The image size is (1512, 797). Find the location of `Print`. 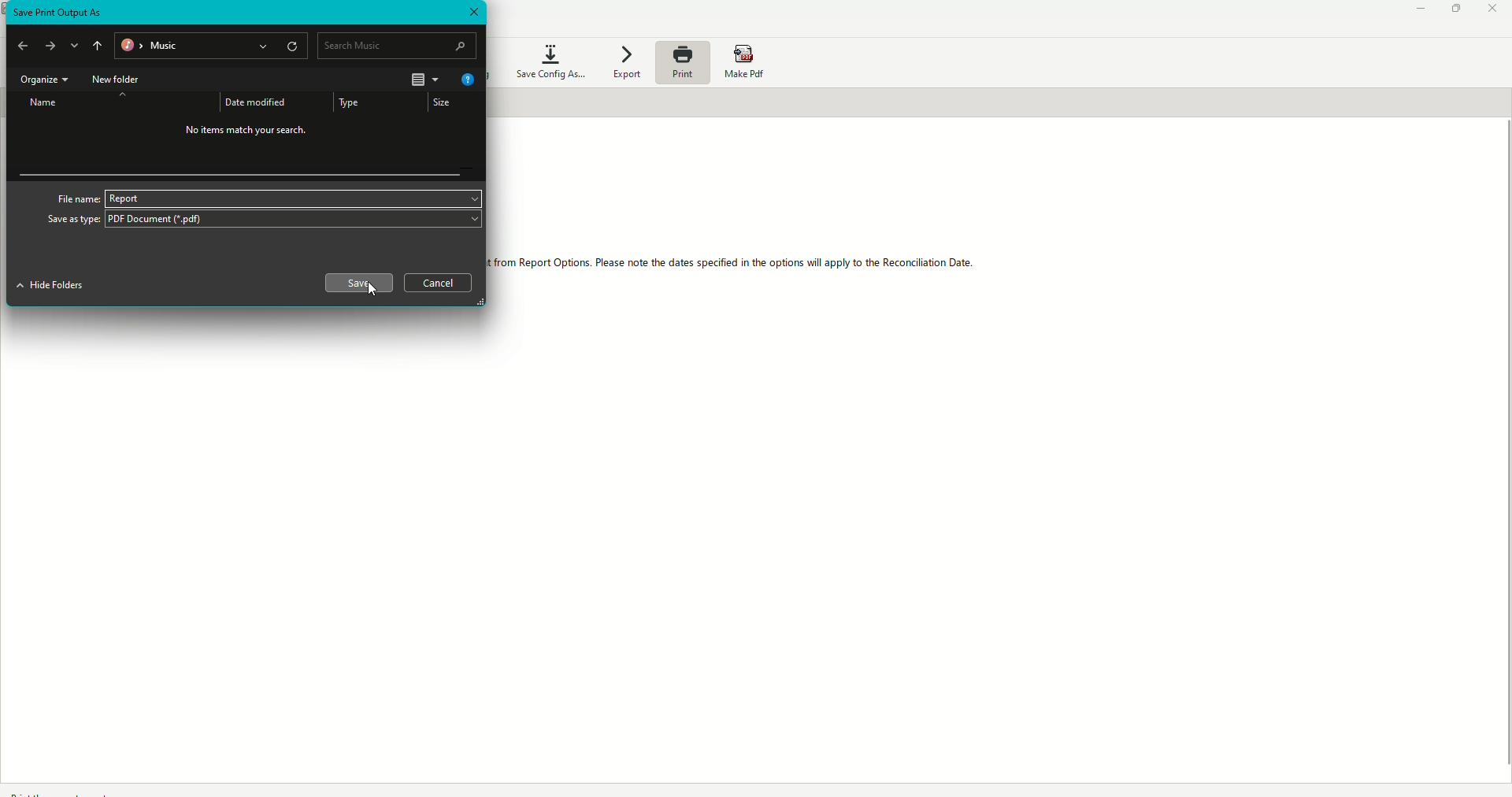

Print is located at coordinates (684, 66).